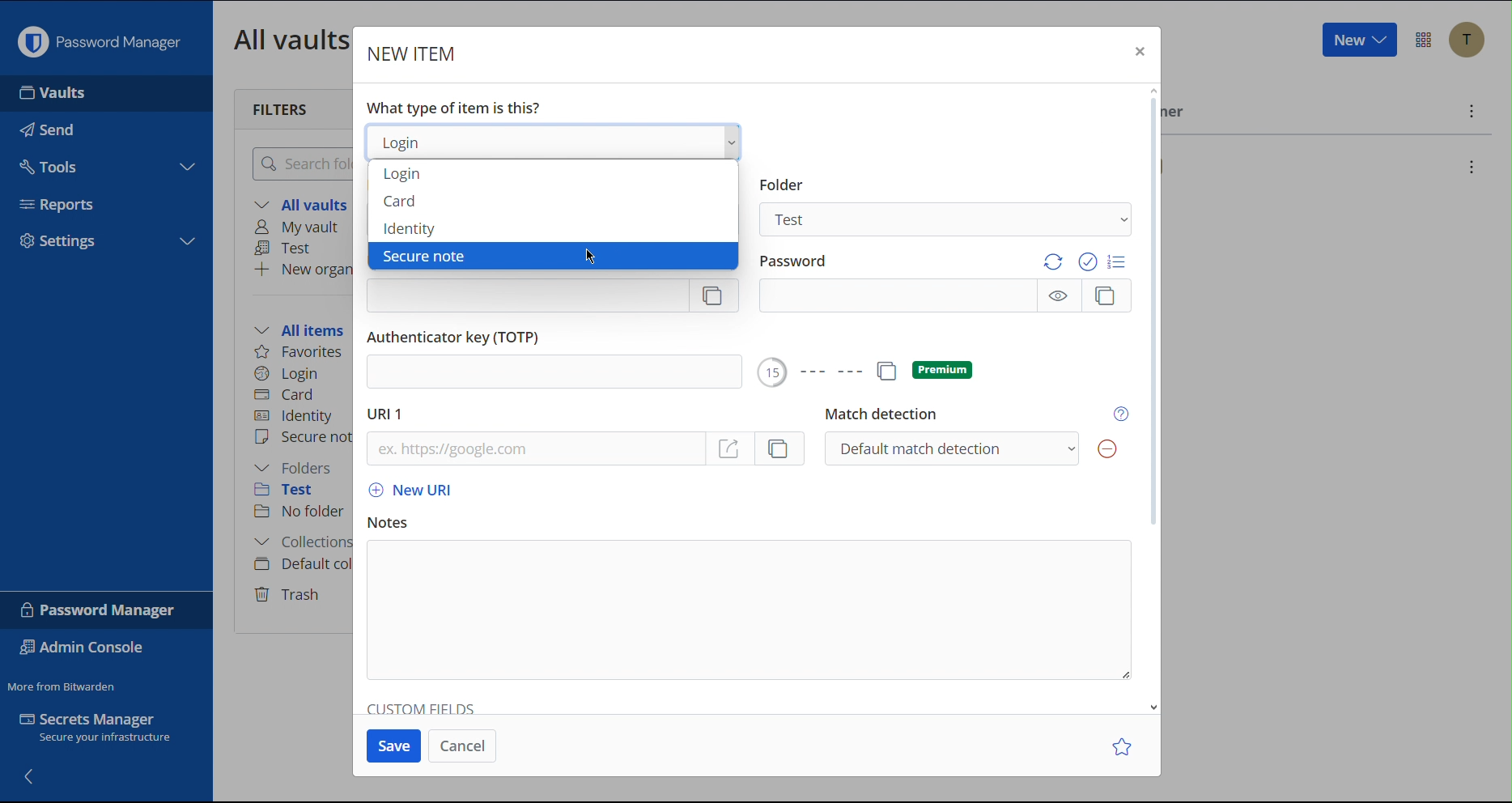 This screenshot has width=1512, height=803. I want to click on Card, so click(287, 393).